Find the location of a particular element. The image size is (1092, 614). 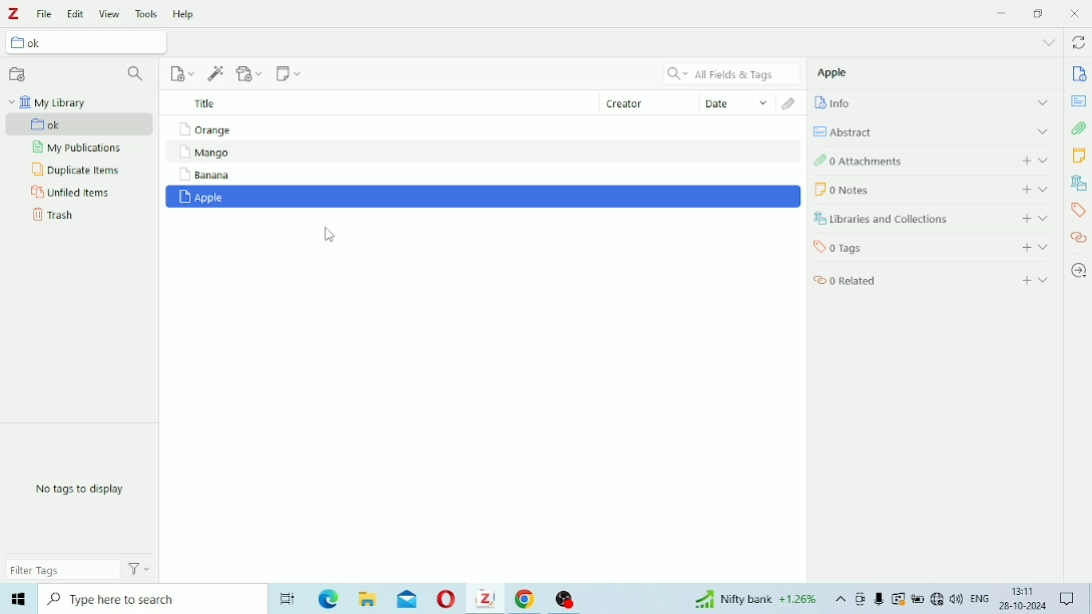

Trash is located at coordinates (53, 218).